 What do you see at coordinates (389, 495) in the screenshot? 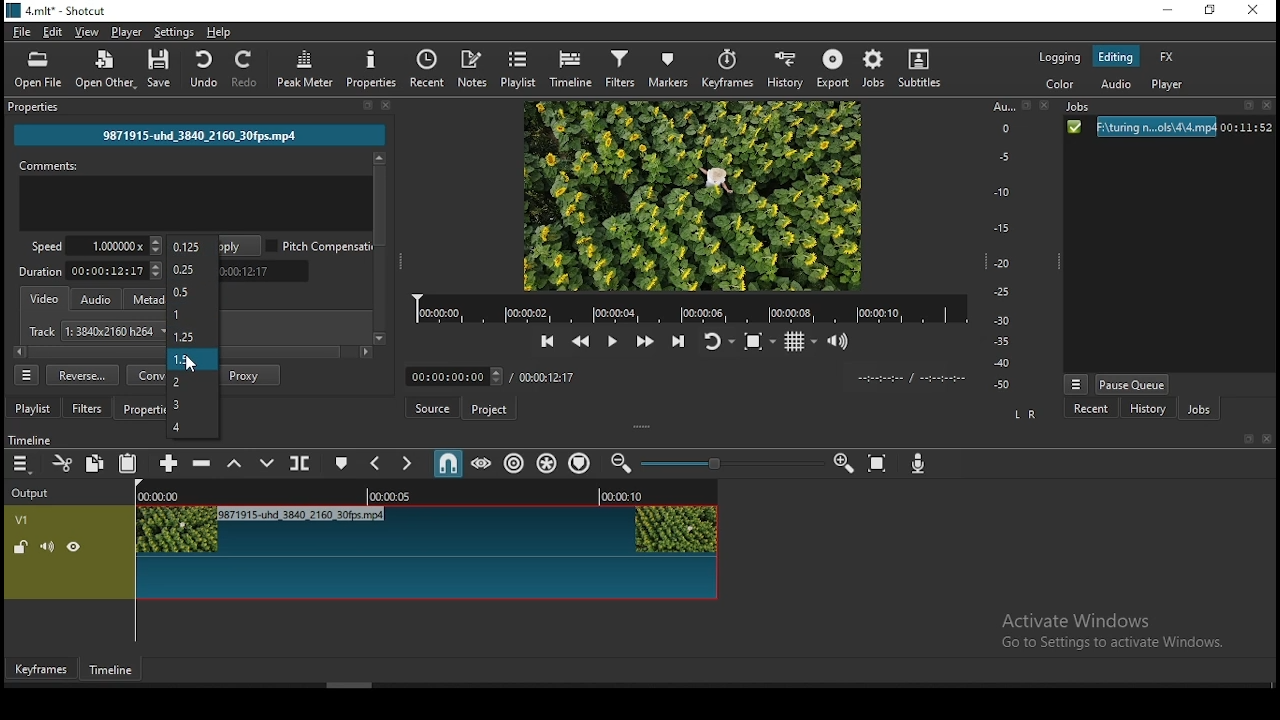
I see `00:00:05` at bounding box center [389, 495].